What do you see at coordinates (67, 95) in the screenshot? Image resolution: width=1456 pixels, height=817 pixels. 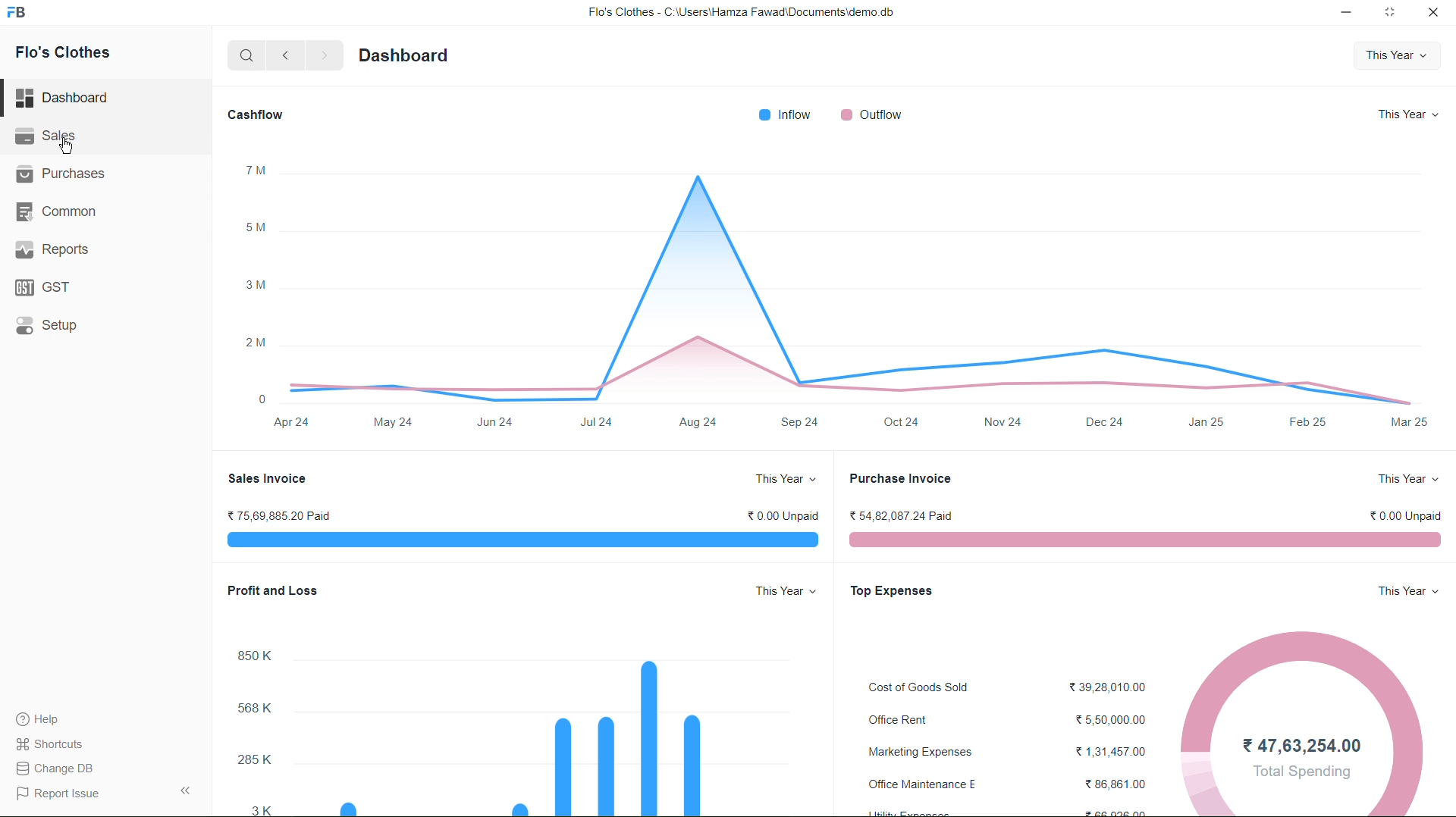 I see `Dashboard` at bounding box center [67, 95].